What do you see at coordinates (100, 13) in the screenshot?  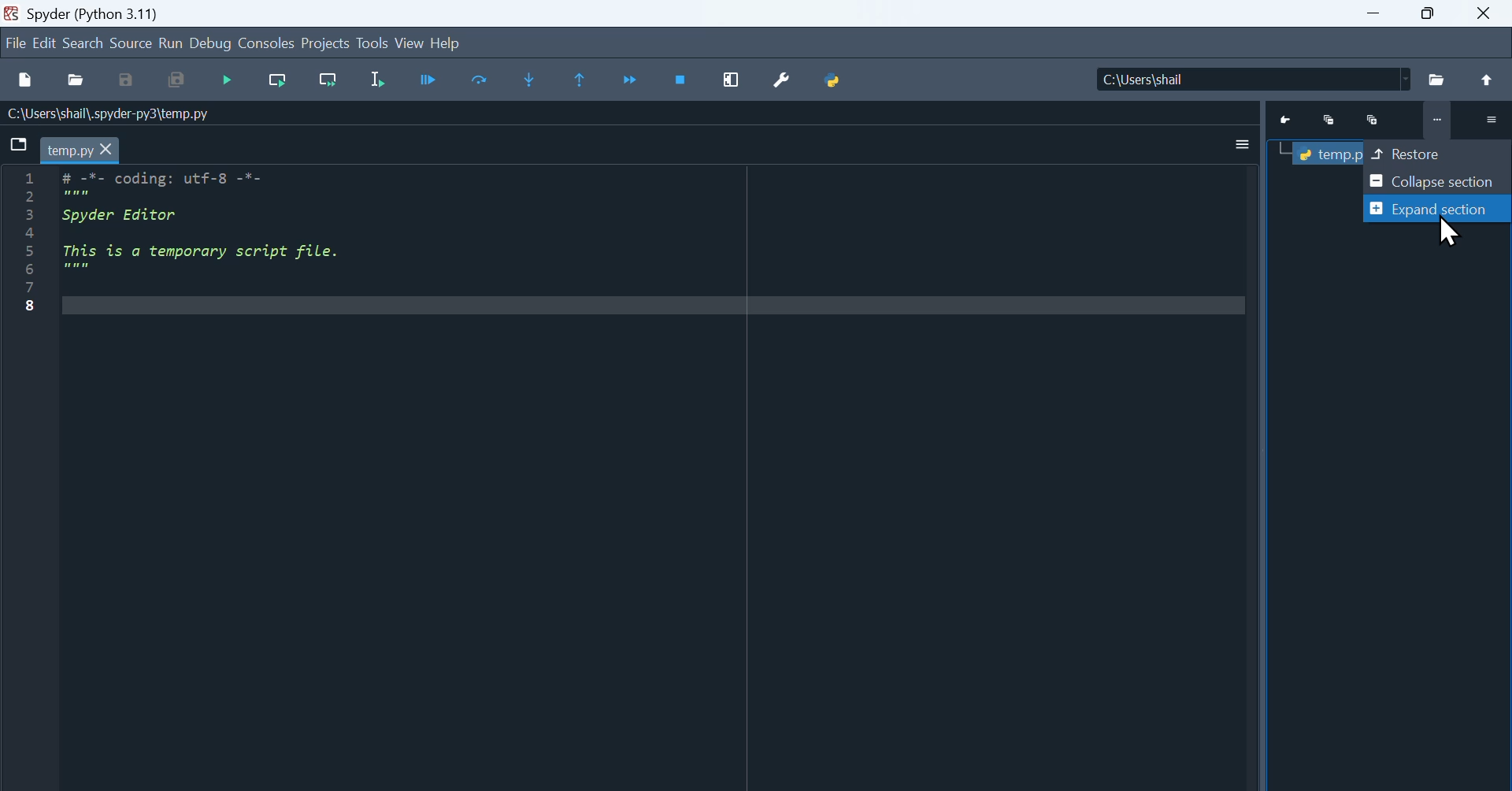 I see `Spyder (Python 3.11)` at bounding box center [100, 13].